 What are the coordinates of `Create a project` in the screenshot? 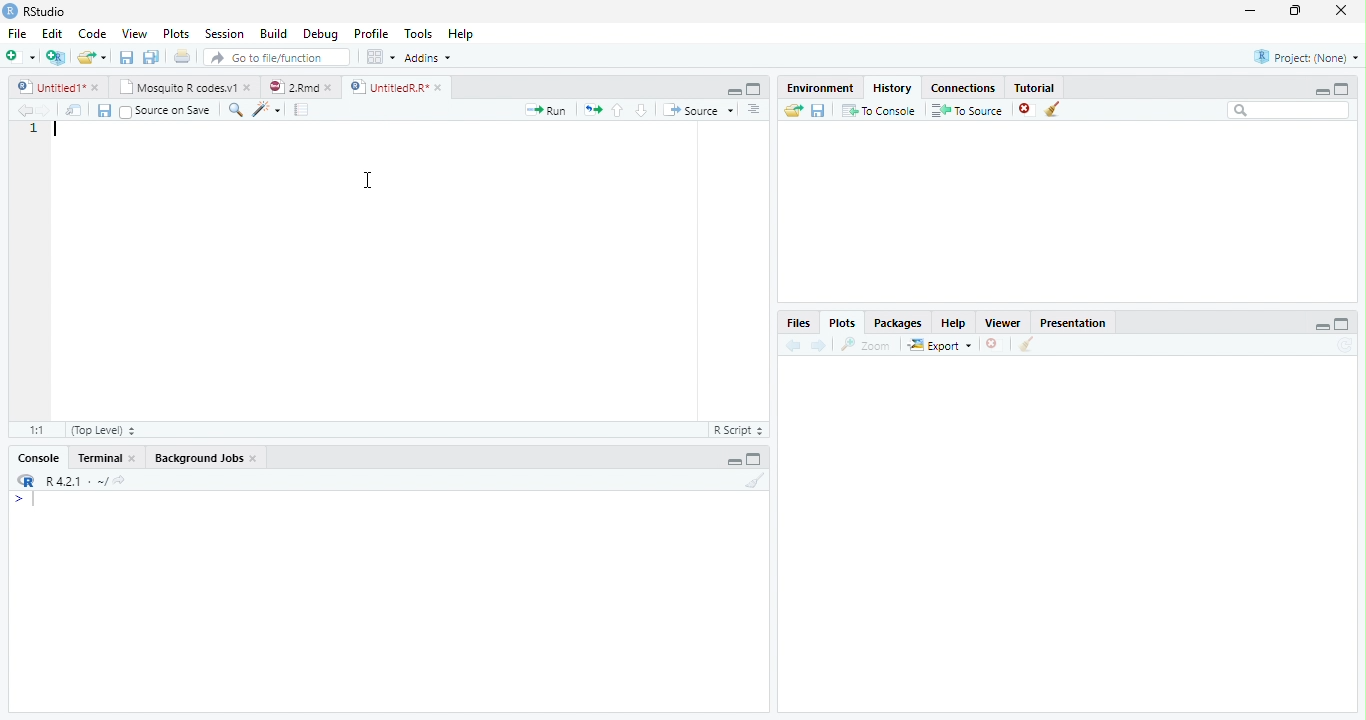 It's located at (55, 57).